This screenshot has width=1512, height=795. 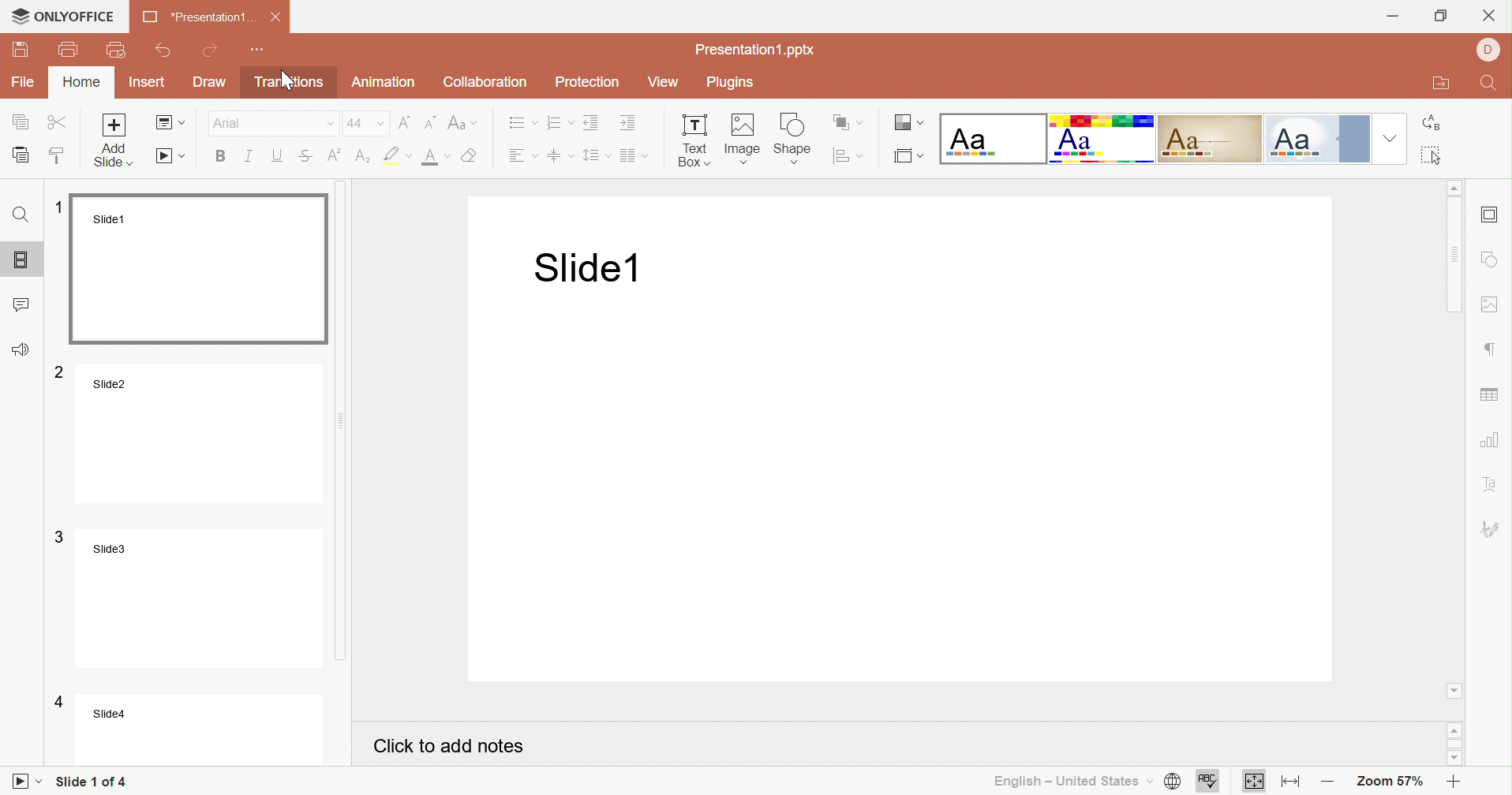 What do you see at coordinates (1208, 782) in the screenshot?
I see `Spell checking` at bounding box center [1208, 782].